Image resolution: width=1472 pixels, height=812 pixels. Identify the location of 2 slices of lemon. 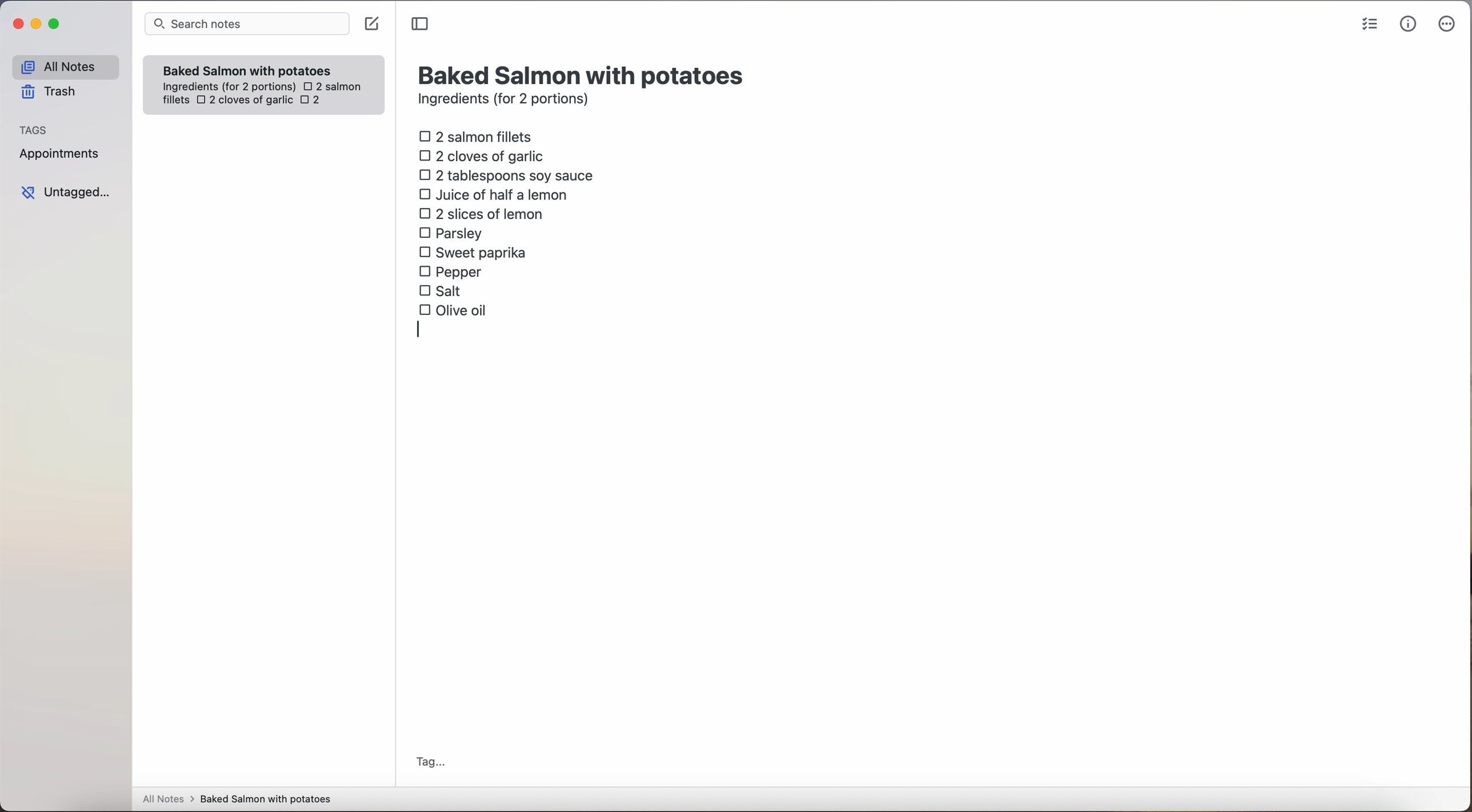
(482, 214).